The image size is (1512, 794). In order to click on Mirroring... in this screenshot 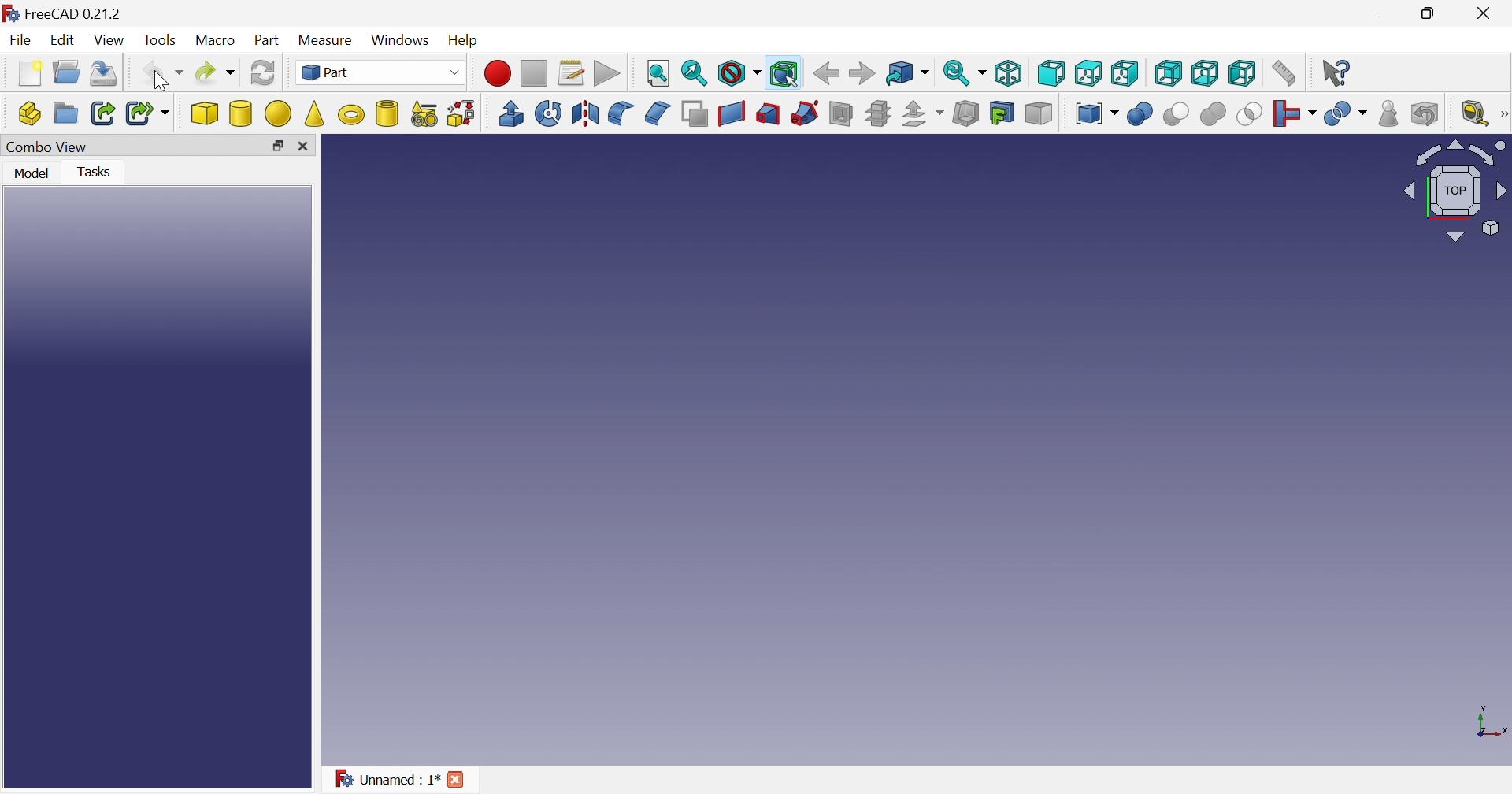, I will do `click(584, 113)`.